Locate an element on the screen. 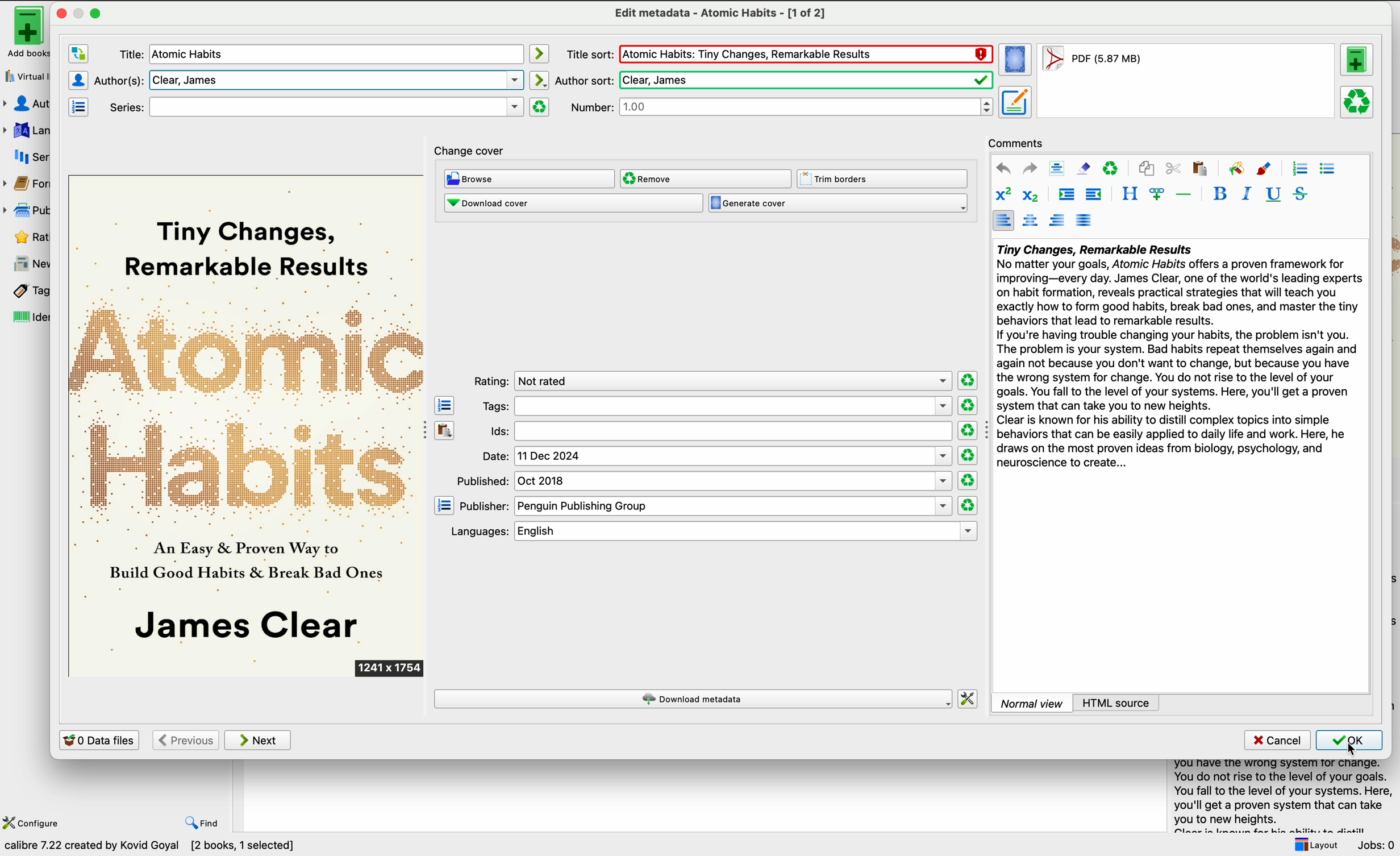 The width and height of the screenshot is (1400, 856). find is located at coordinates (203, 824).